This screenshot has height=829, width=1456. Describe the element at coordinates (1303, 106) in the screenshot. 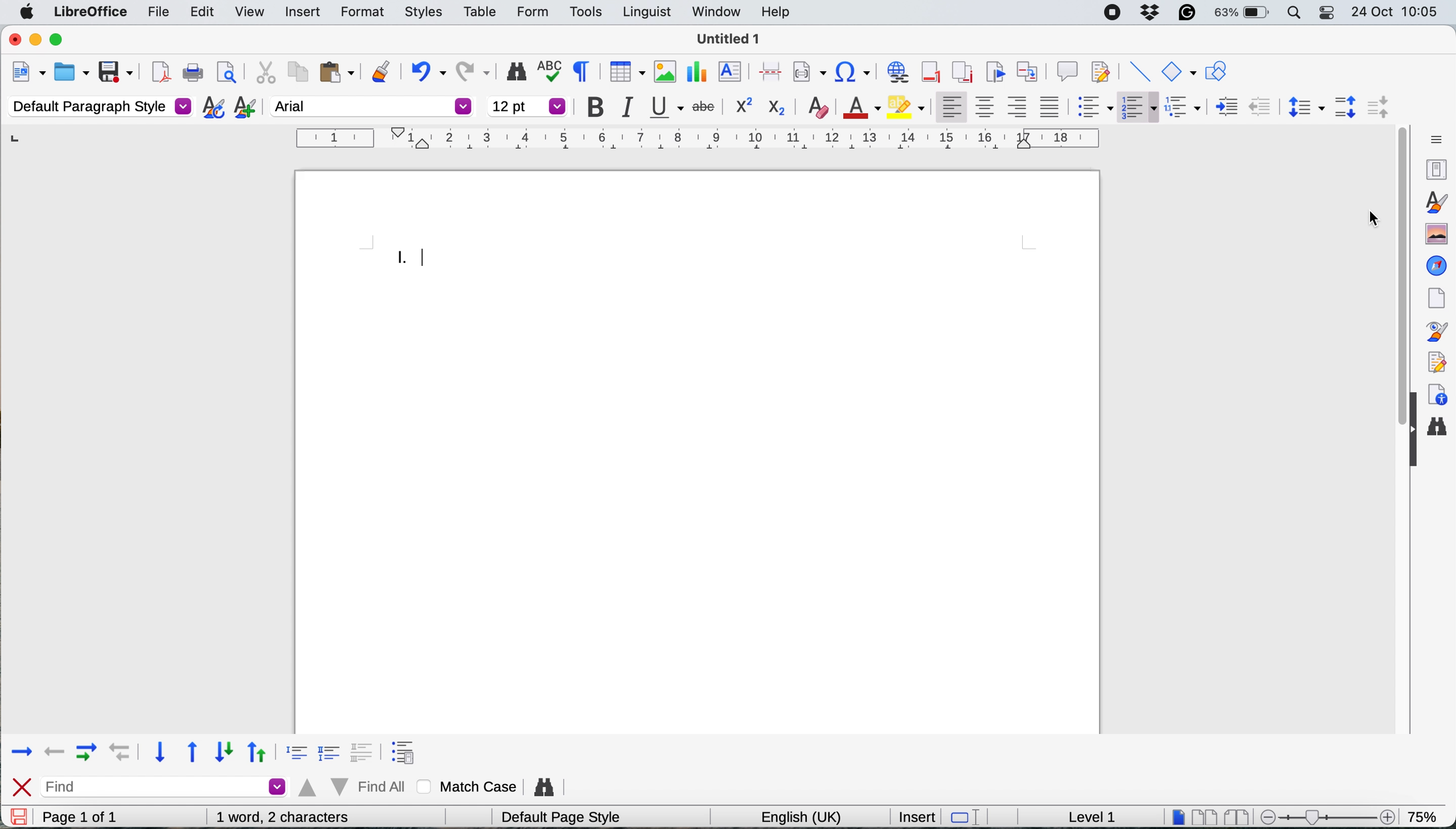

I see `set line spacing` at that location.